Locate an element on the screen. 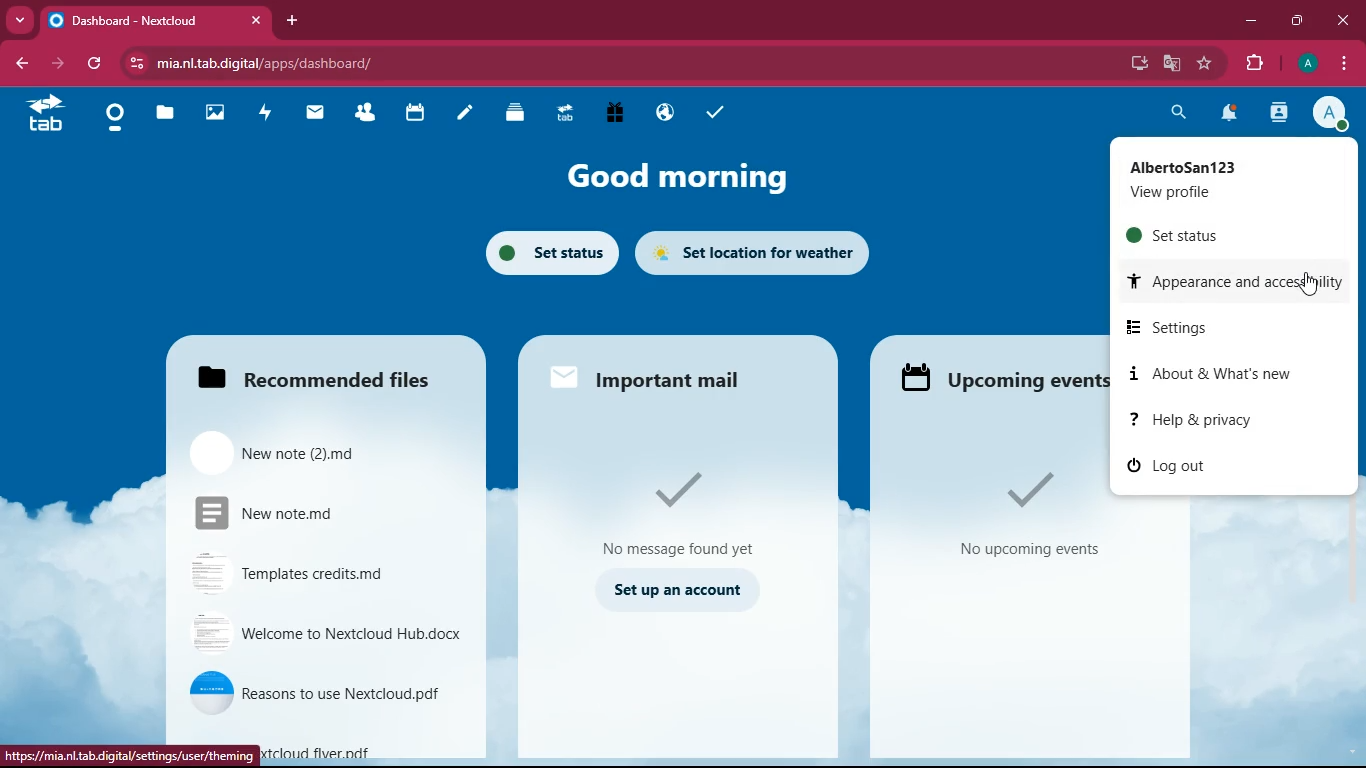 This screenshot has height=768, width=1366. tab is located at coordinates (561, 116).